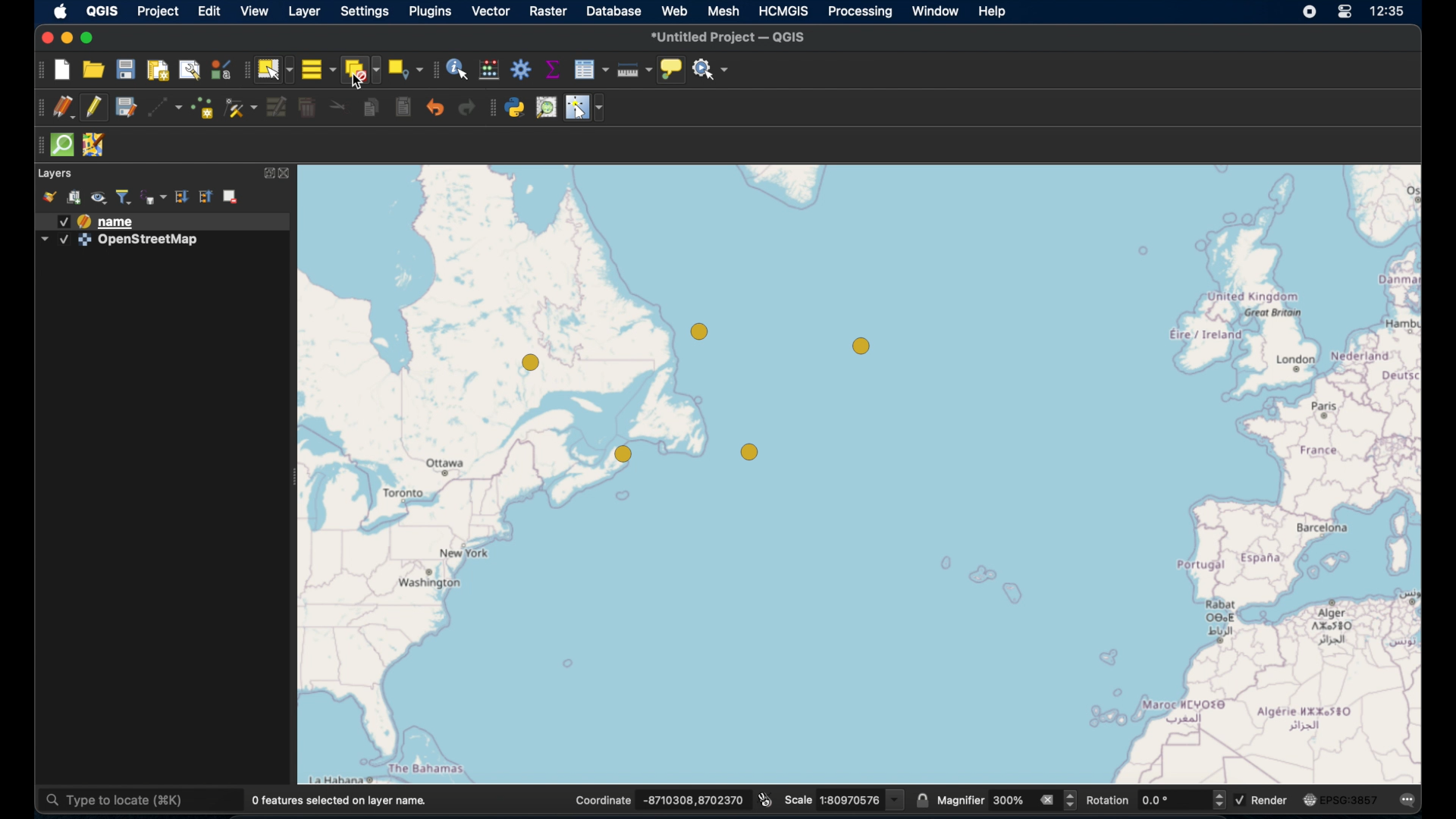 This screenshot has width=1456, height=819. Describe the element at coordinates (40, 70) in the screenshot. I see `project toolbar` at that location.